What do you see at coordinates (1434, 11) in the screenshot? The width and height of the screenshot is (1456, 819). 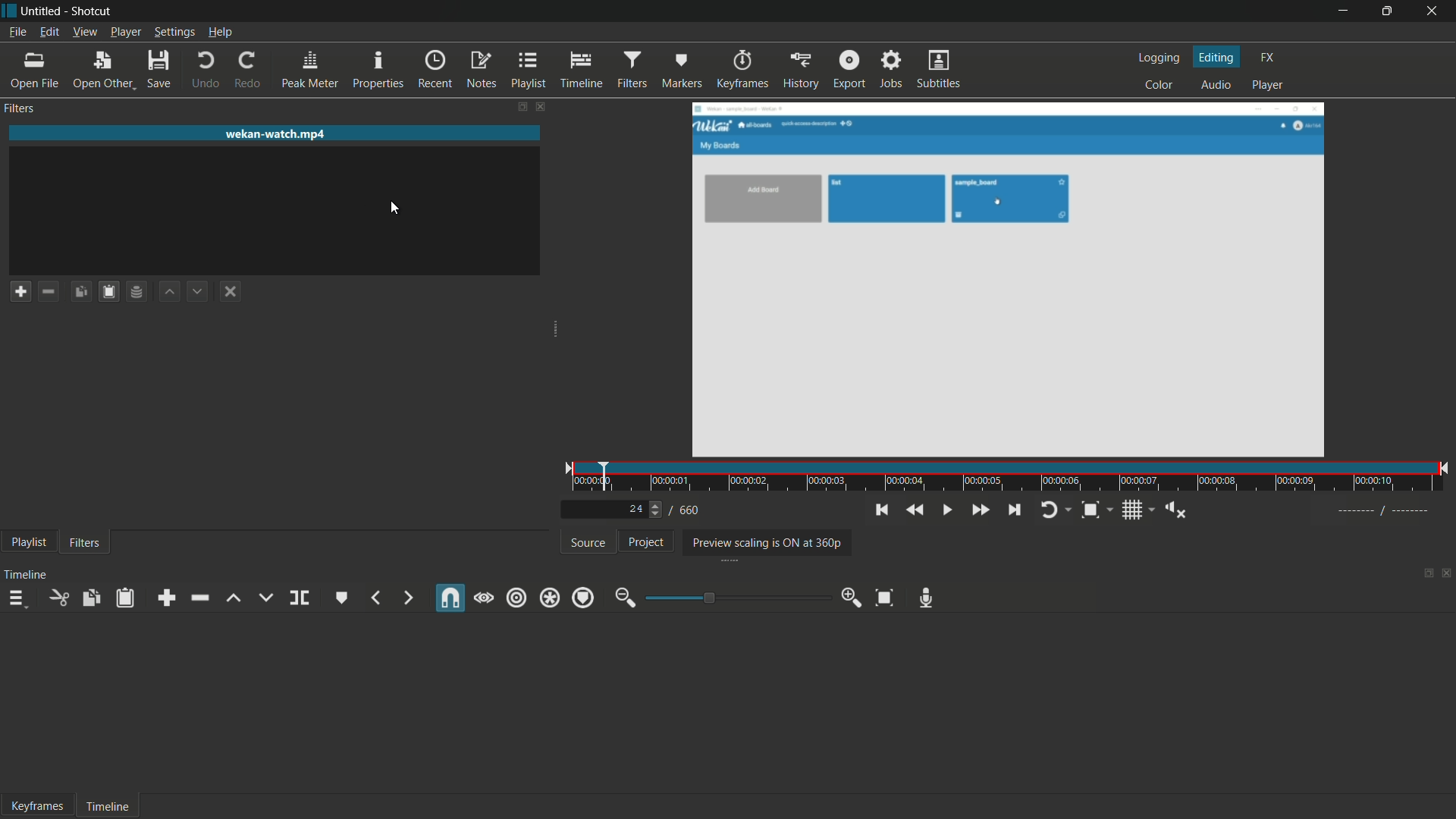 I see `close app` at bounding box center [1434, 11].